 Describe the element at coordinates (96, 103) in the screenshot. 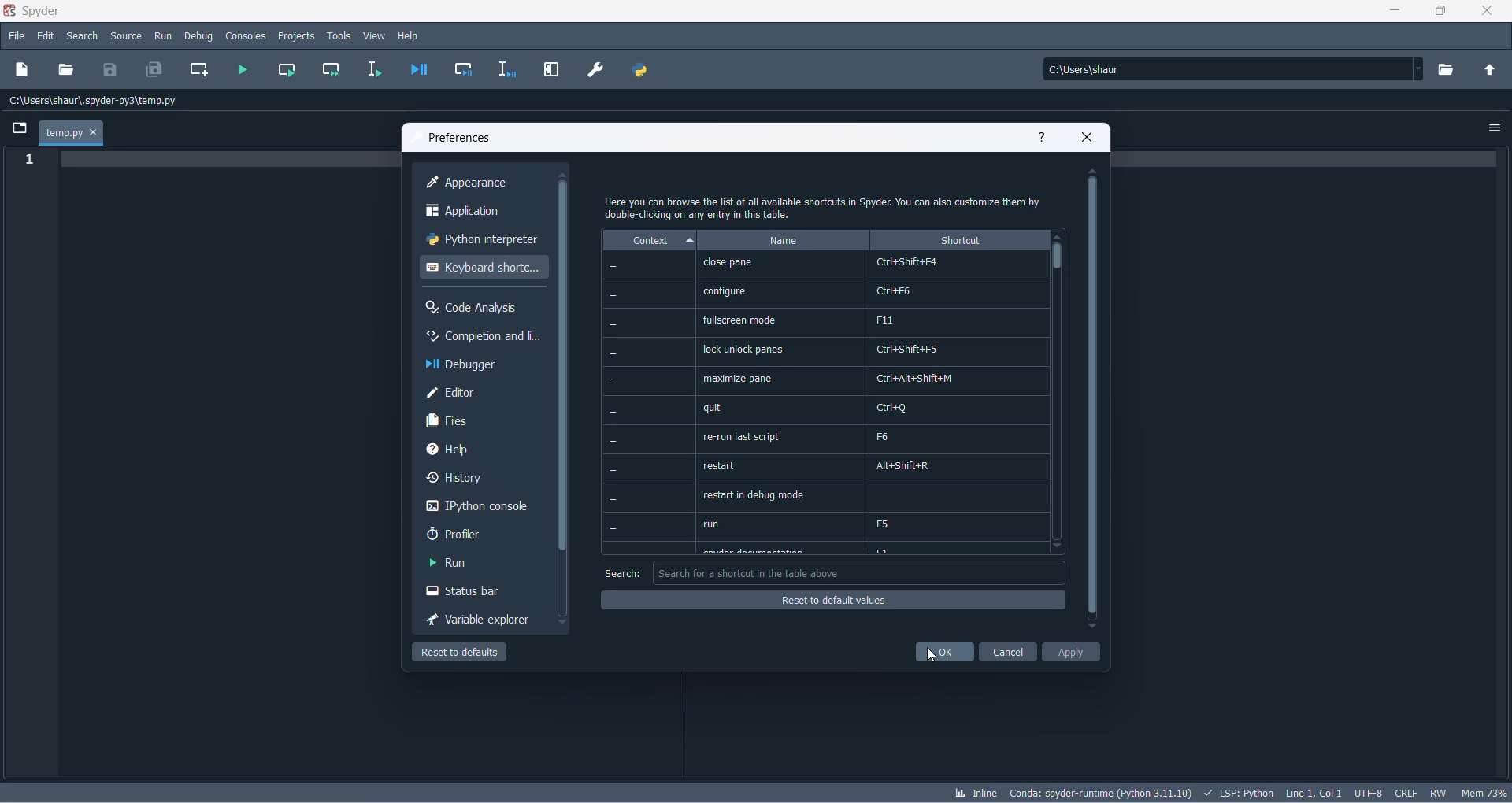

I see `path` at that location.